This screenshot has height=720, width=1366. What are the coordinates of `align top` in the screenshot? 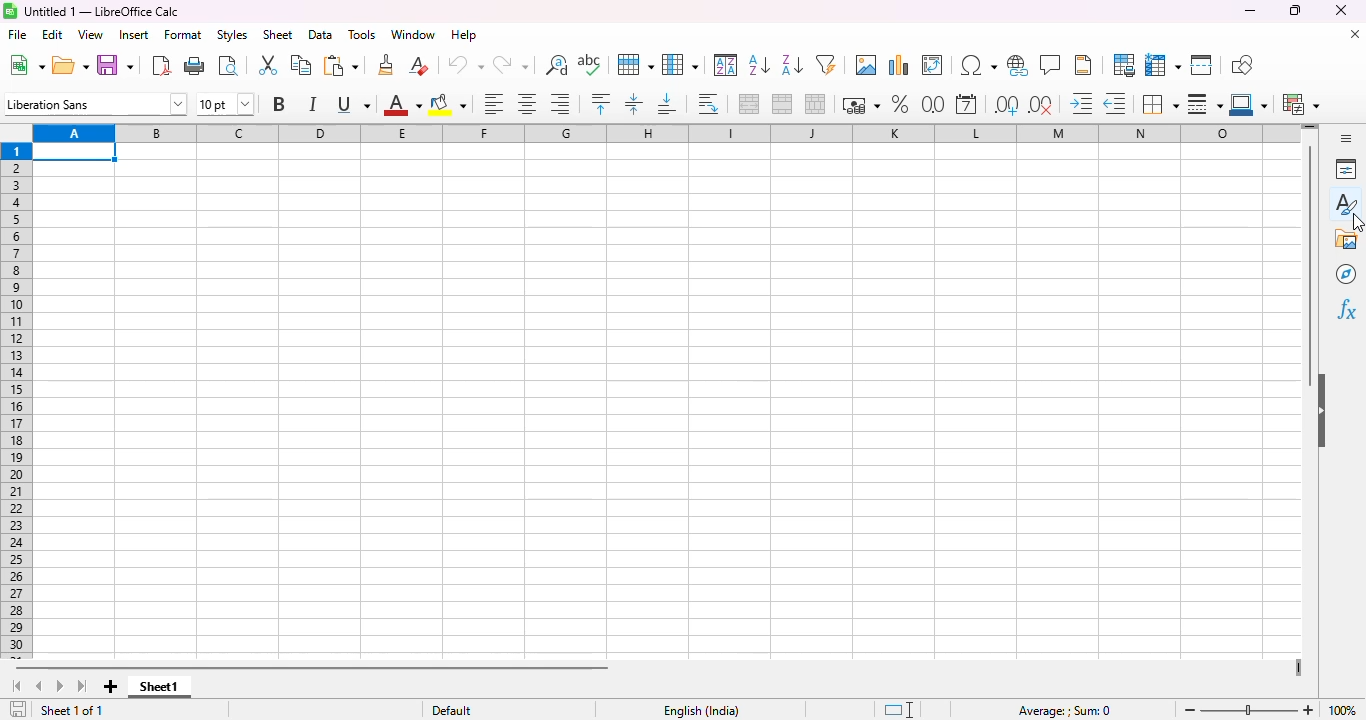 It's located at (600, 103).